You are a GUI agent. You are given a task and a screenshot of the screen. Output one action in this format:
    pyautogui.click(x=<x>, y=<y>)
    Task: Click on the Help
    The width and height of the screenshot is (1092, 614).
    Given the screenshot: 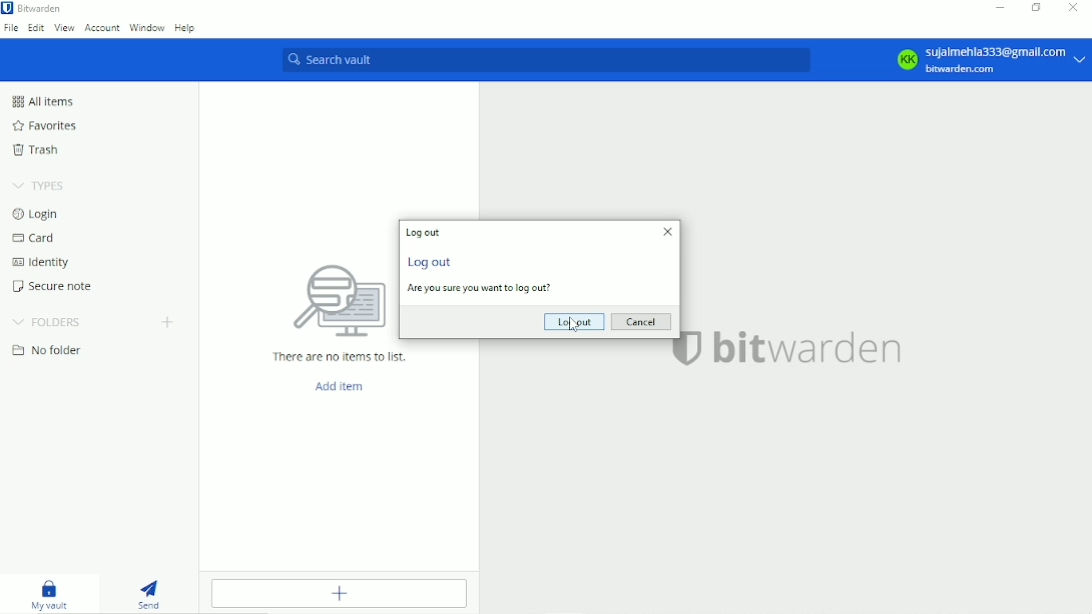 What is the action you would take?
    pyautogui.click(x=185, y=28)
    